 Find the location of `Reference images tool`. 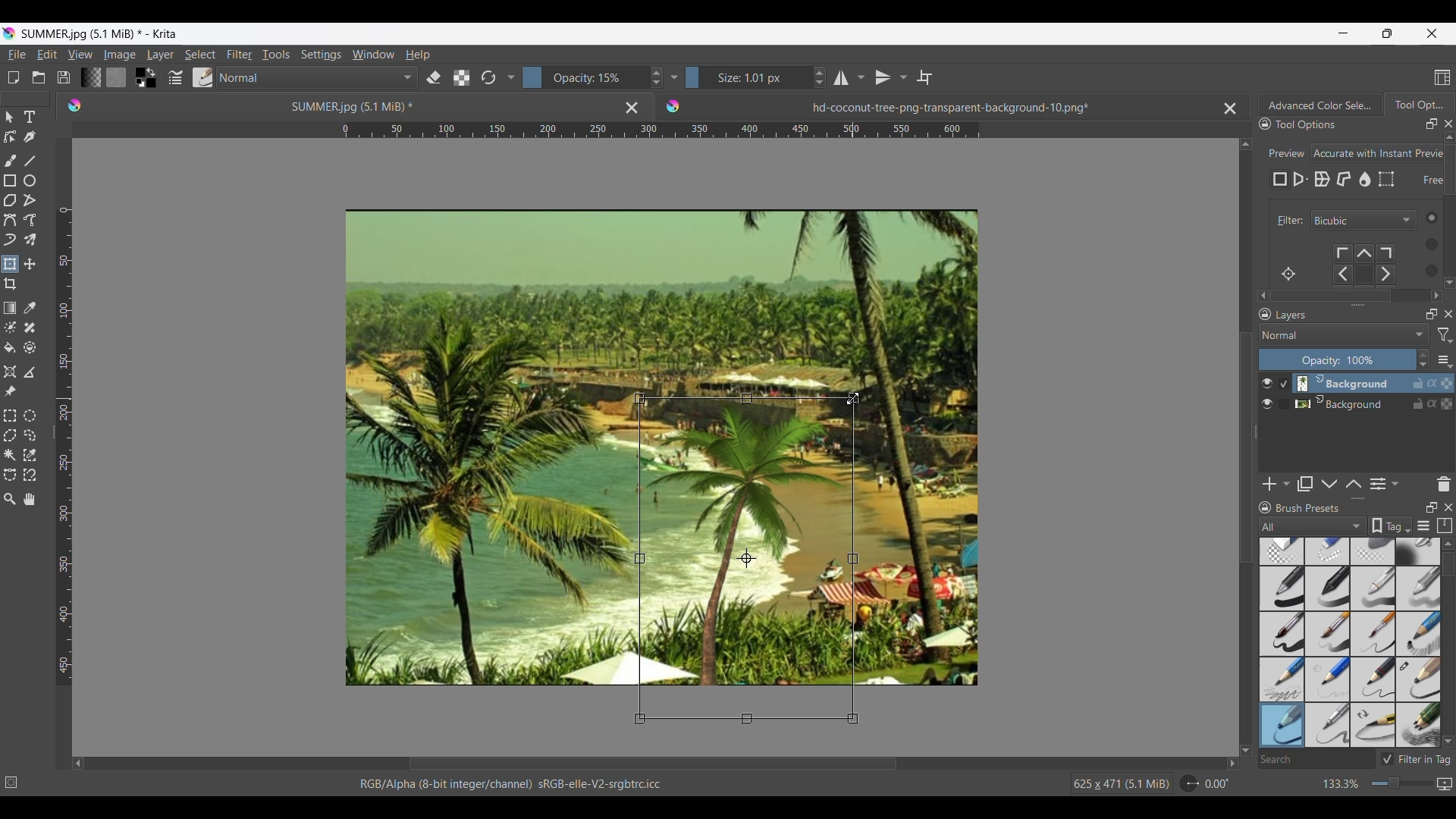

Reference images tool is located at coordinates (11, 391).